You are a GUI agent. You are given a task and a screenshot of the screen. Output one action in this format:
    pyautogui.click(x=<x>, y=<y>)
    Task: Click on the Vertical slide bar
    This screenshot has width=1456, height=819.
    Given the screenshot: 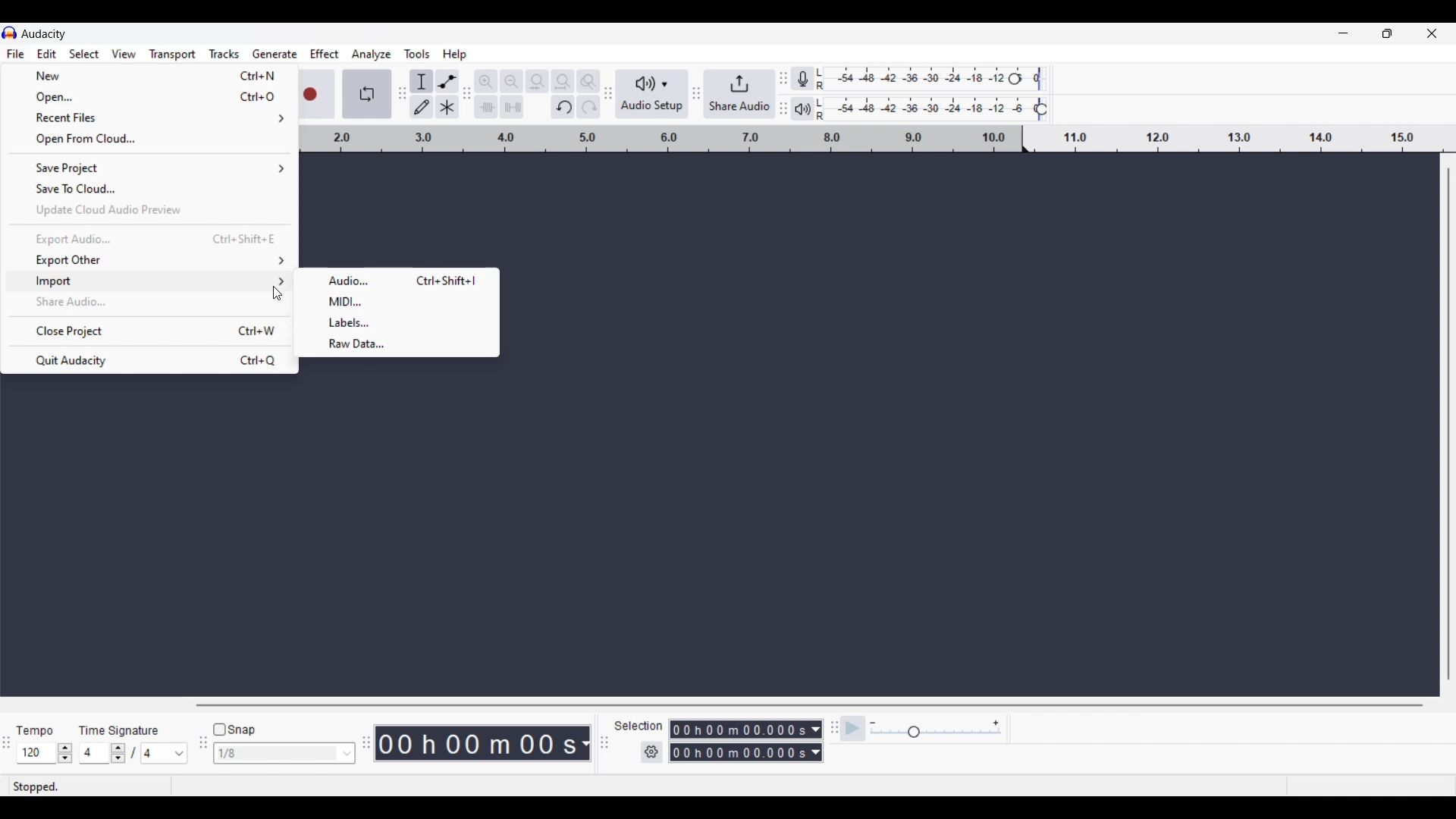 What is the action you would take?
    pyautogui.click(x=1449, y=425)
    